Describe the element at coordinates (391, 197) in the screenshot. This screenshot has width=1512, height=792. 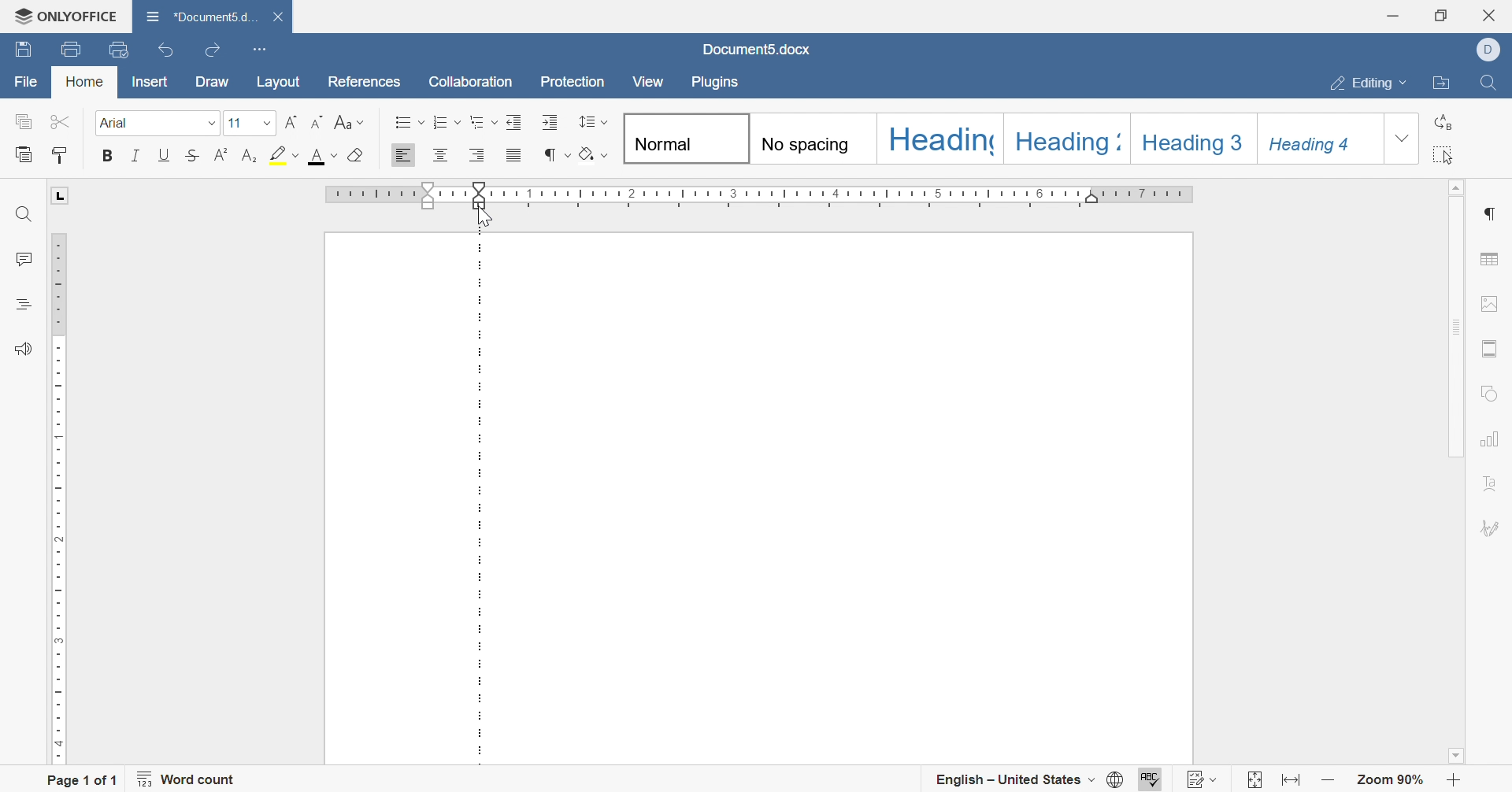
I see `ruler` at that location.